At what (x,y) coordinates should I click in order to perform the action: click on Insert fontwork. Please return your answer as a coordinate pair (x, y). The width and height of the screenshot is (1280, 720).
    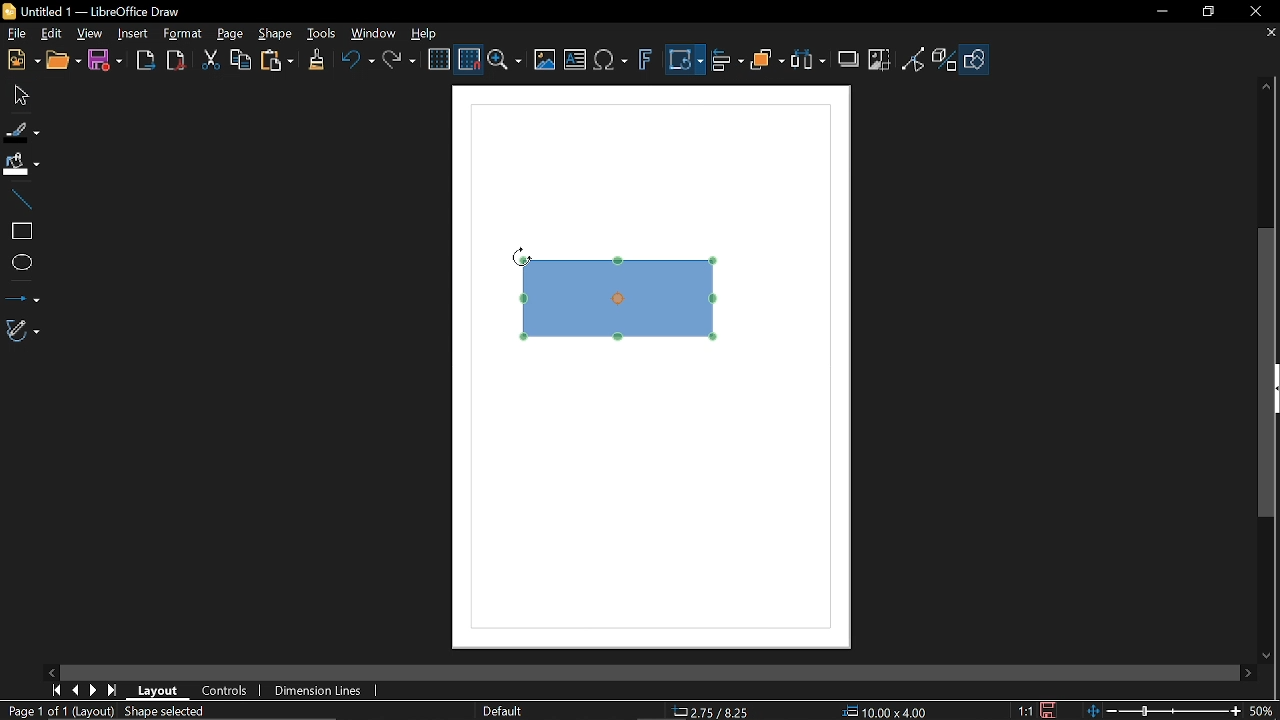
    Looking at the image, I should click on (645, 62).